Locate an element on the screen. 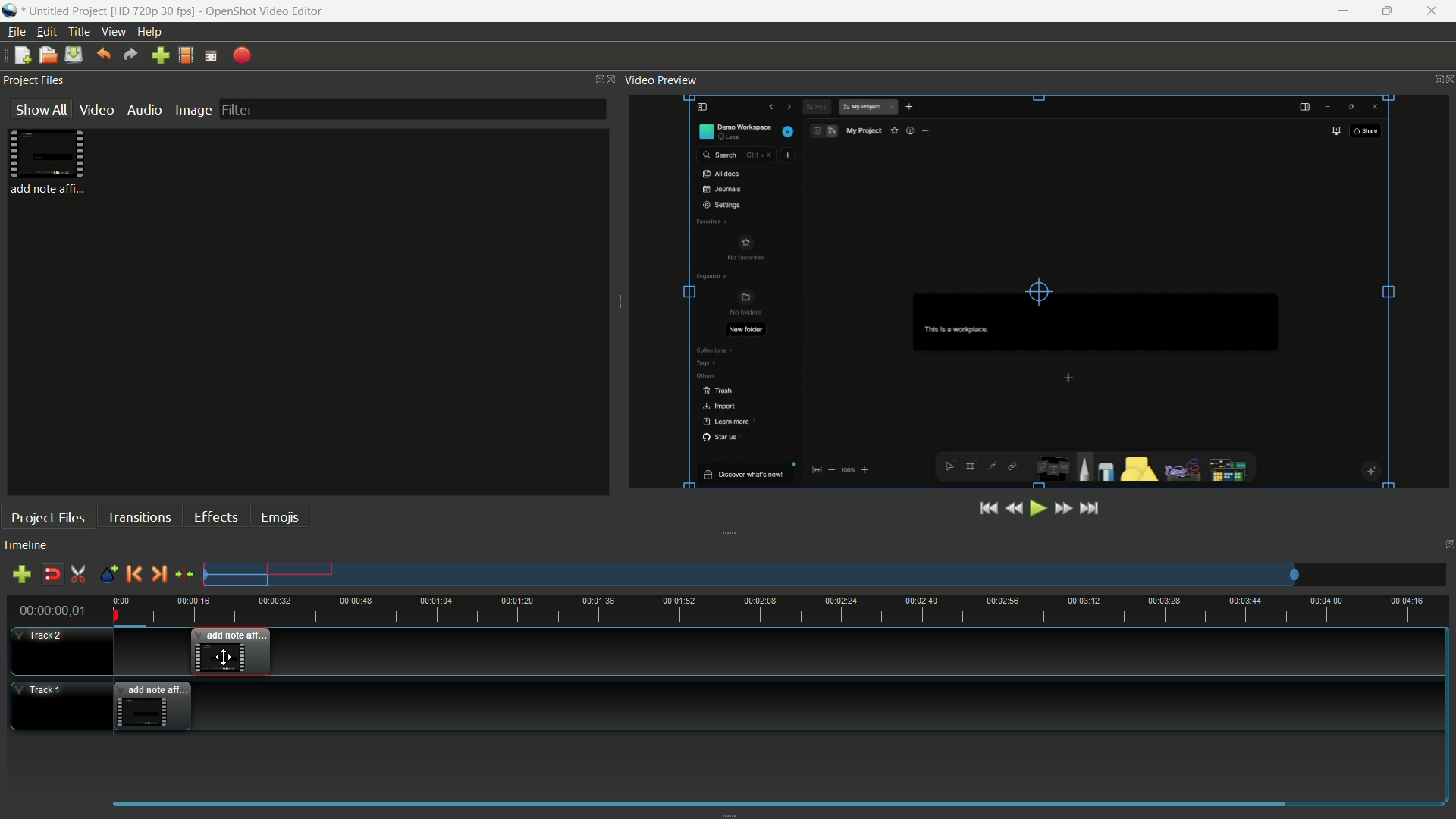  video in track-2 is located at coordinates (234, 653).